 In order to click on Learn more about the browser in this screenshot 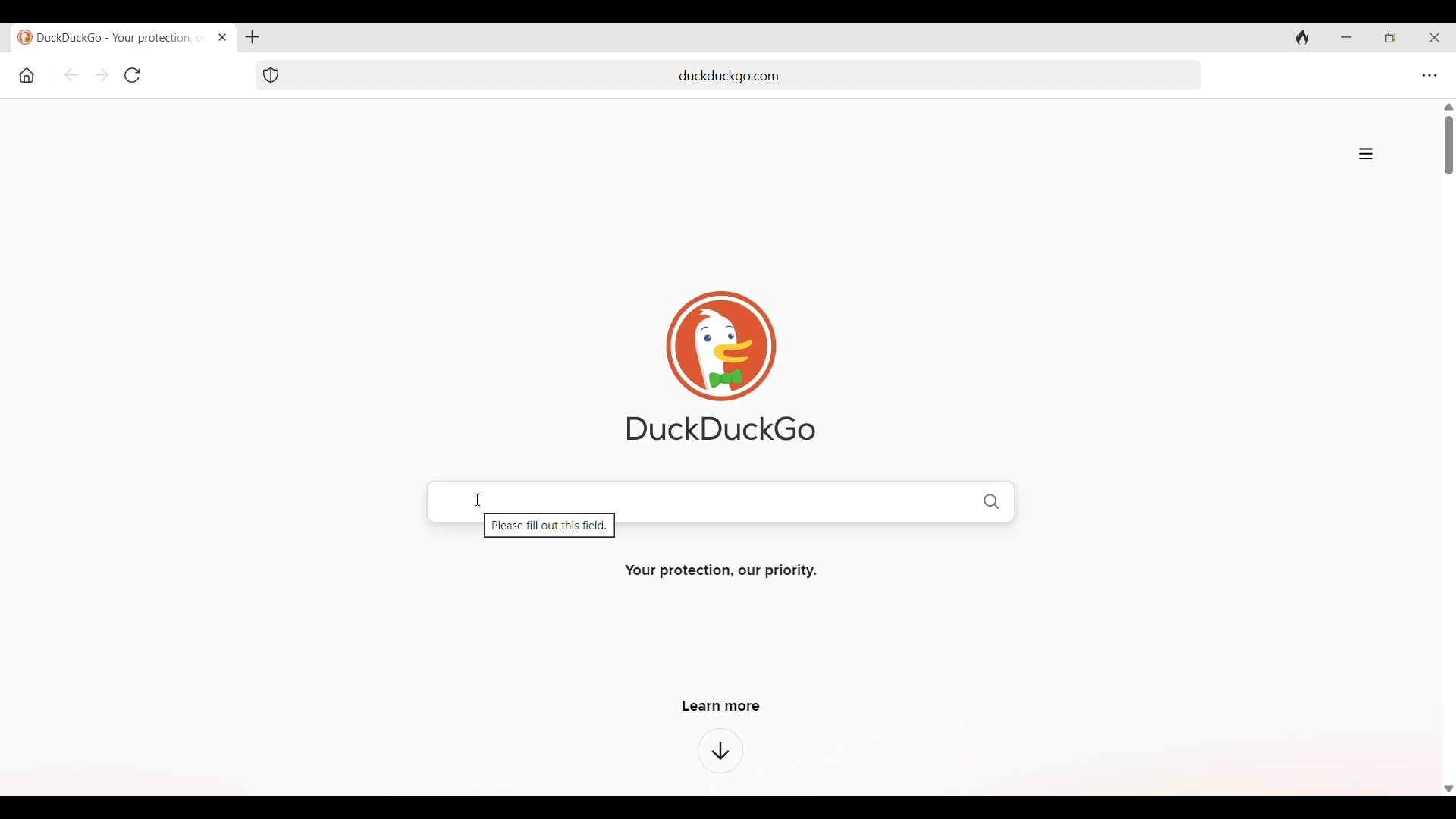, I will do `click(721, 751)`.